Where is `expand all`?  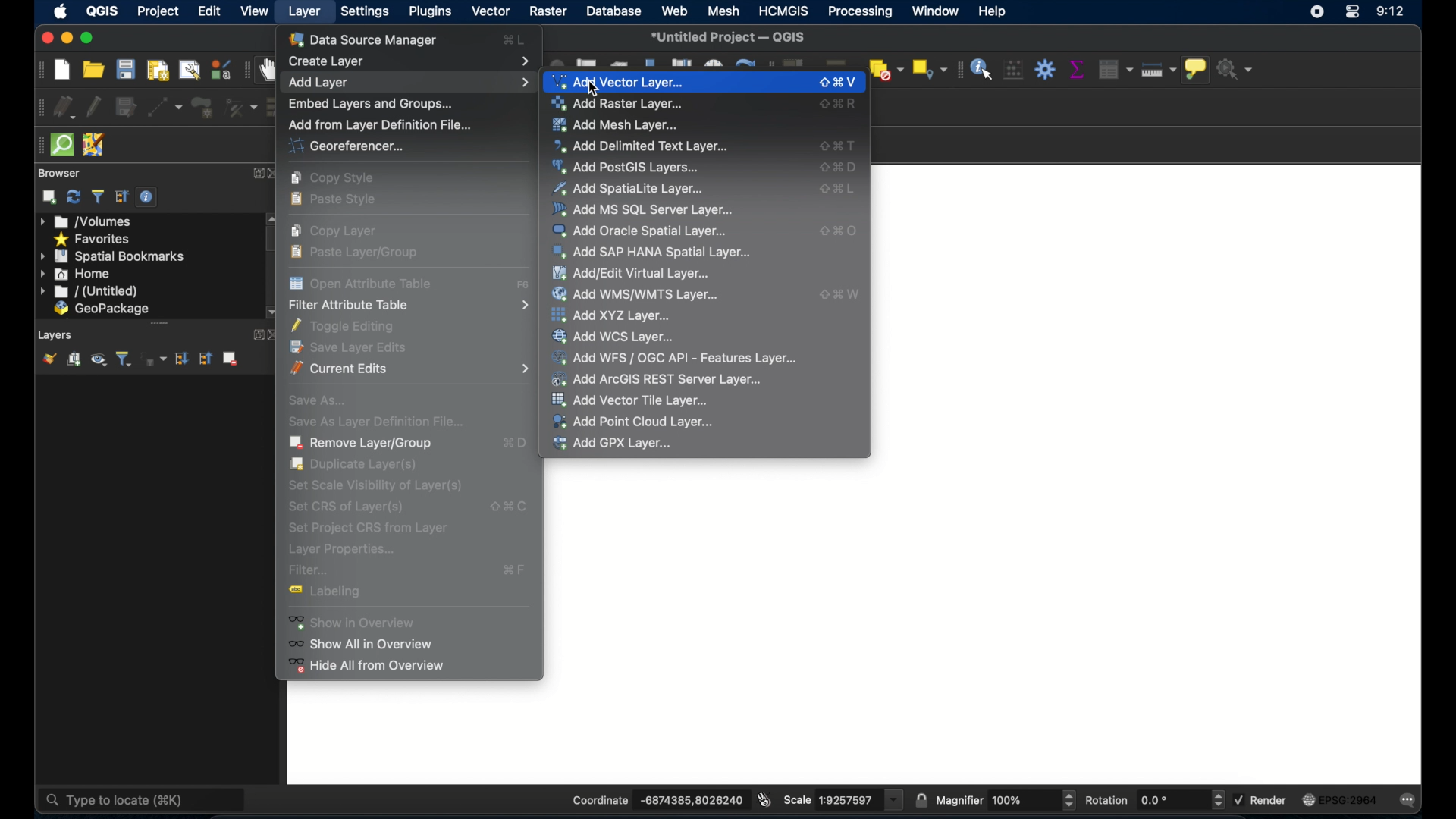 expand all is located at coordinates (180, 359).